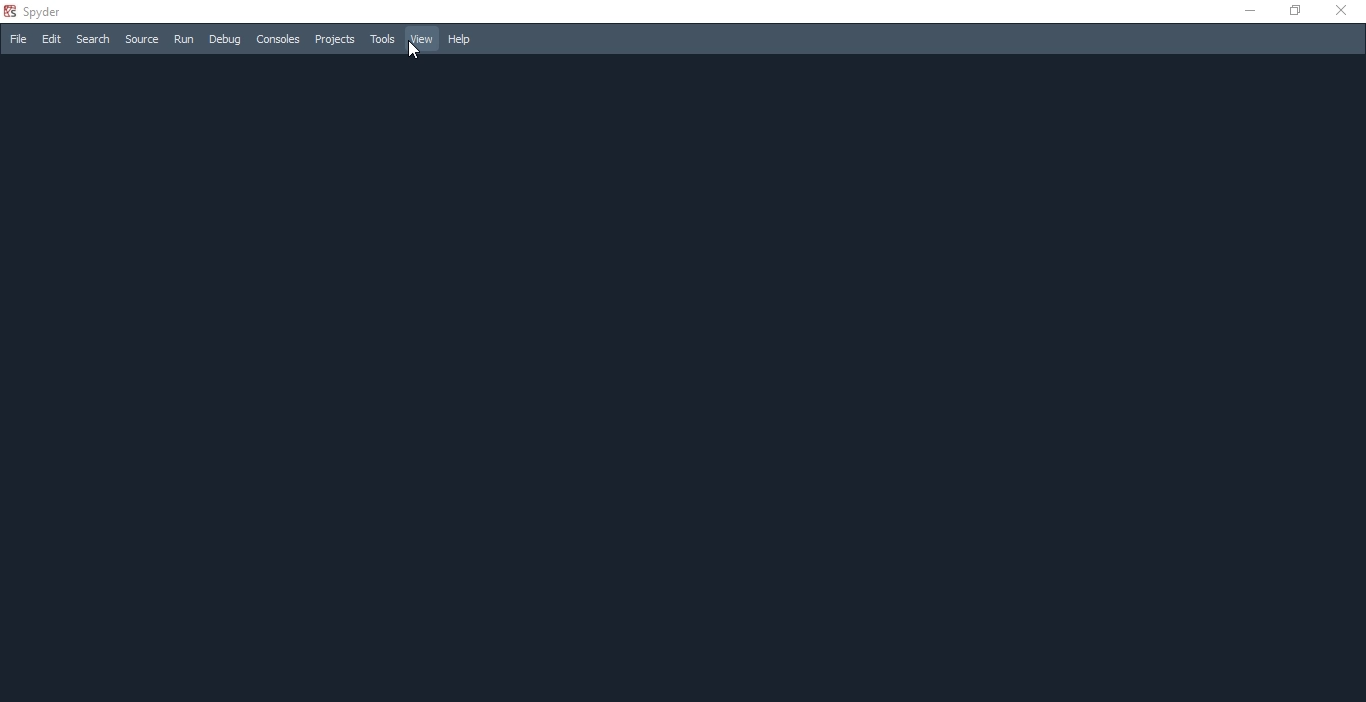  I want to click on Default Spyder Start Pane, so click(681, 381).